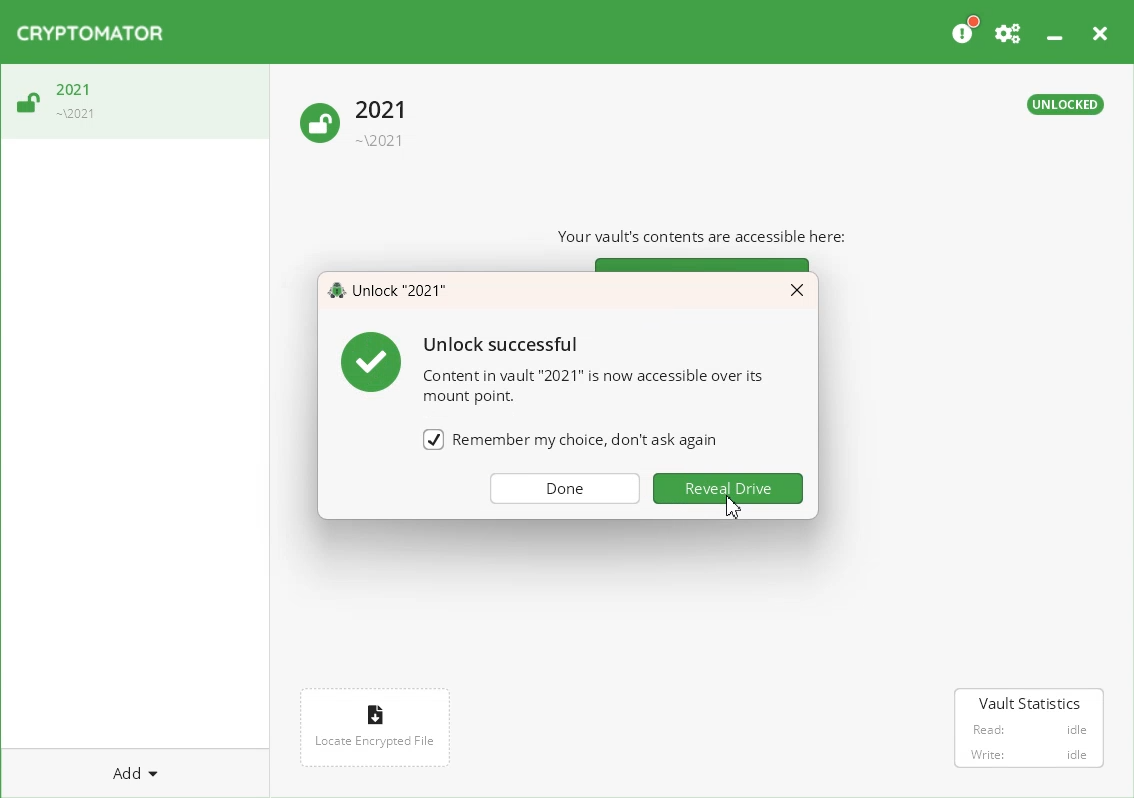  I want to click on Enable toggle, so click(434, 438).